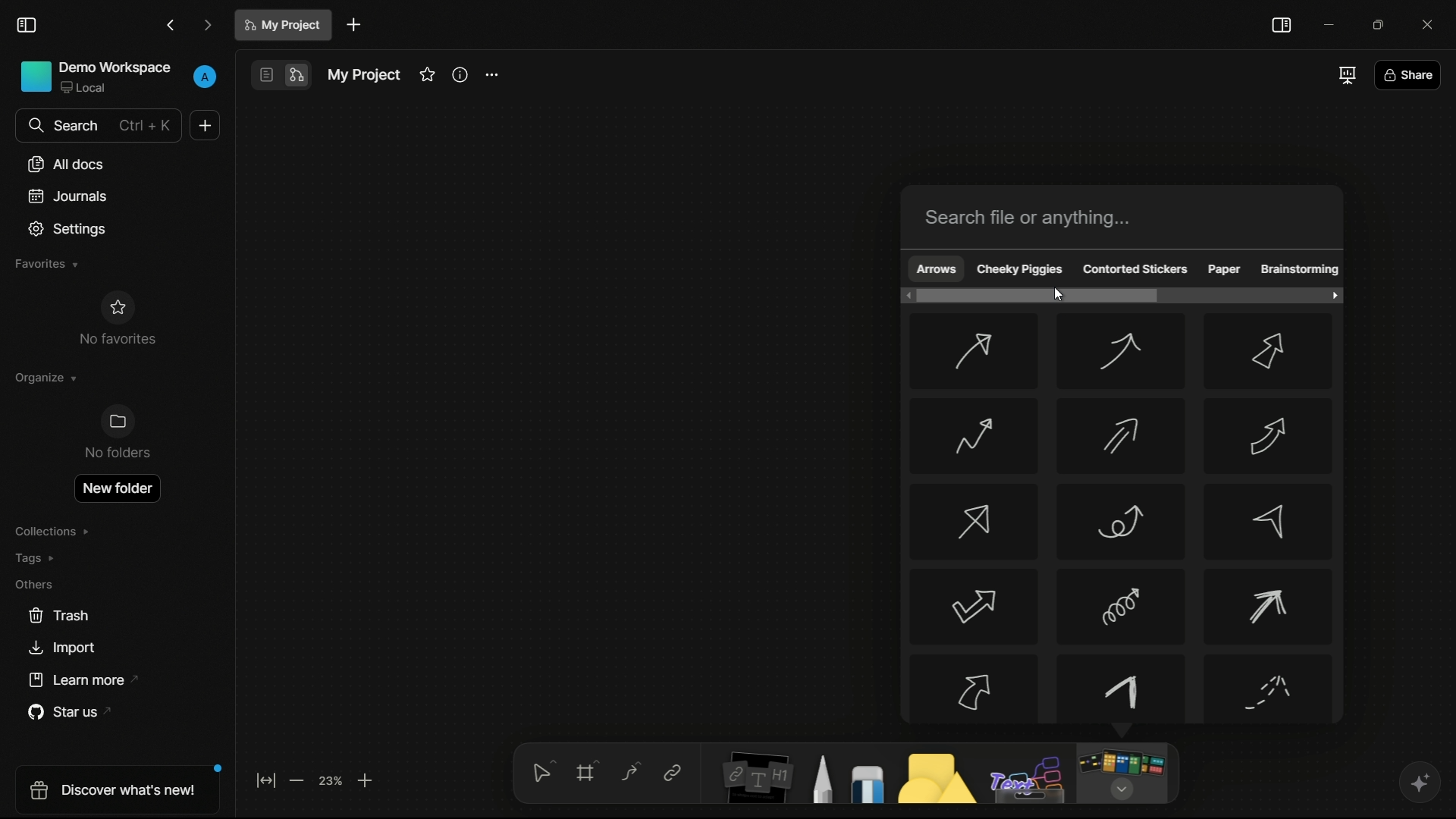 This screenshot has width=1456, height=819. Describe the element at coordinates (1407, 77) in the screenshot. I see `share` at that location.